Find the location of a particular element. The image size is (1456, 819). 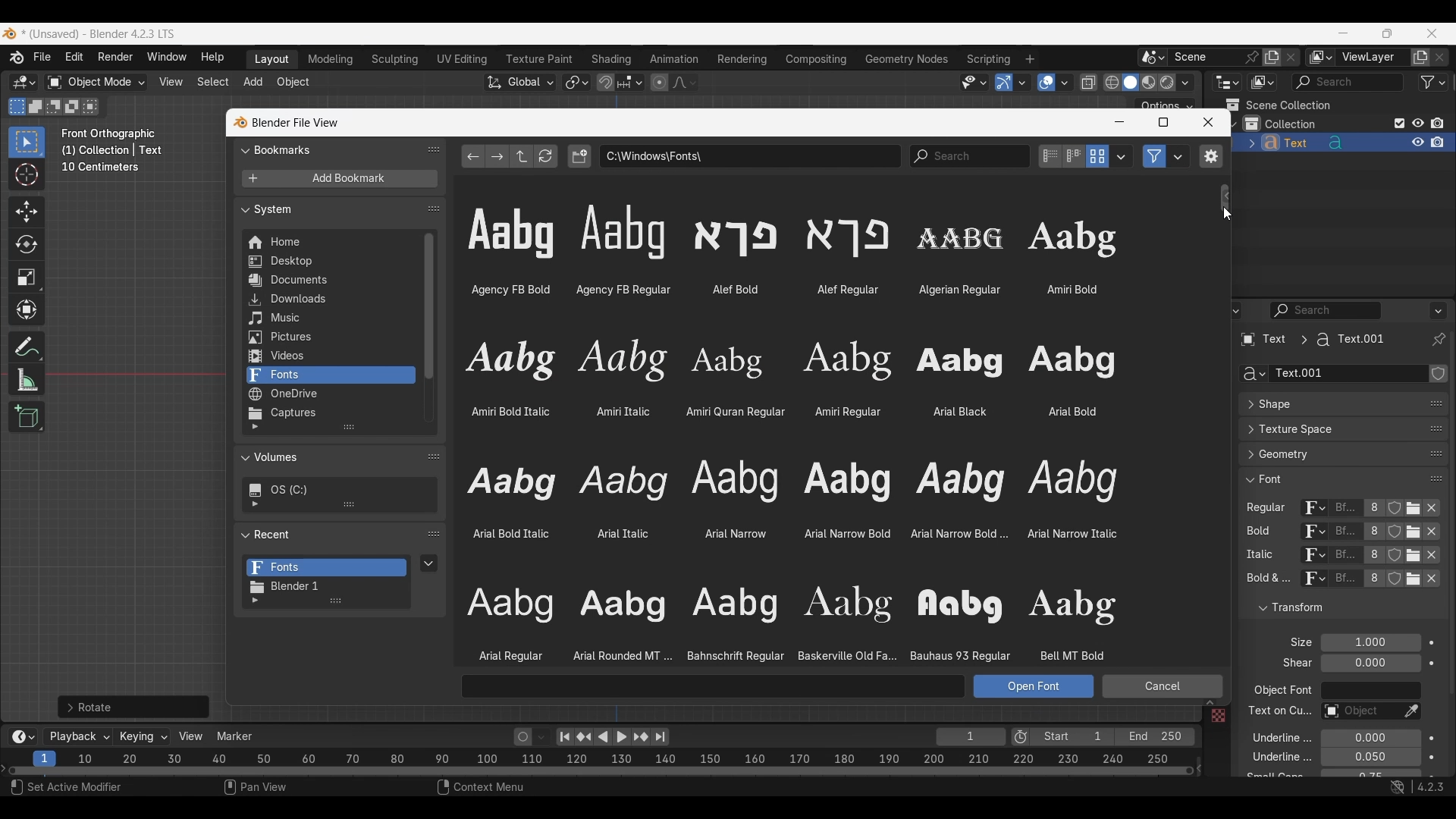

Jump to end point is located at coordinates (661, 737).